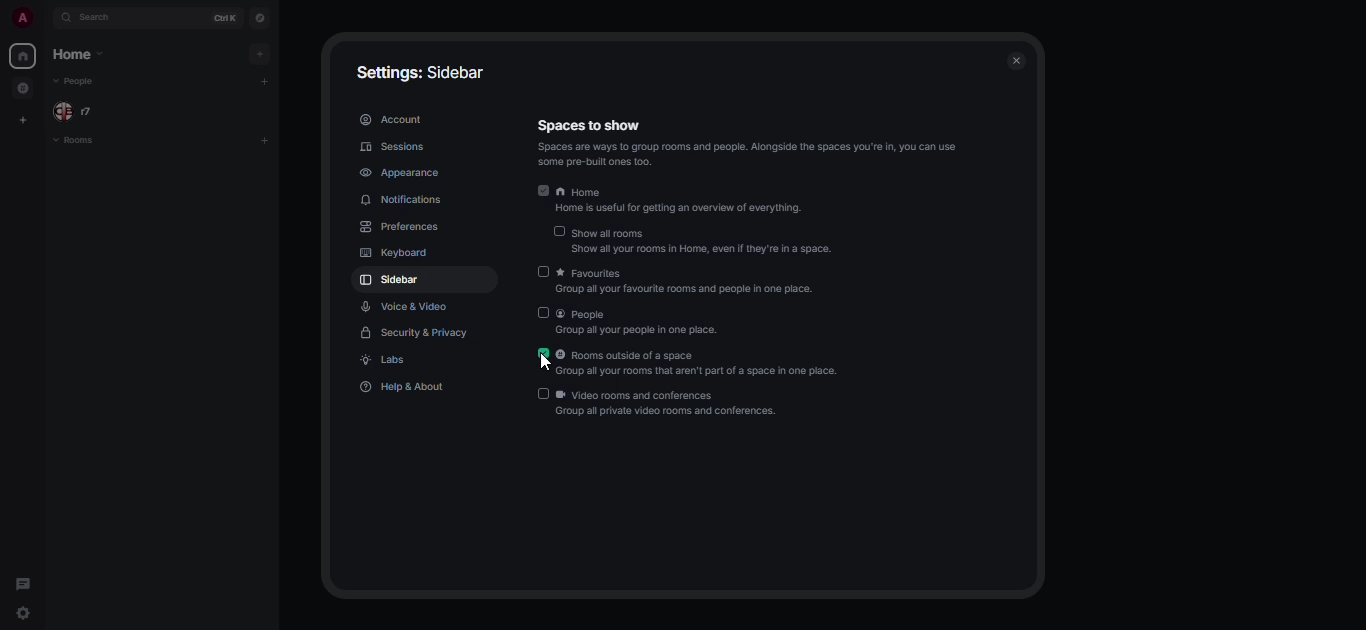  What do you see at coordinates (395, 119) in the screenshot?
I see `account` at bounding box center [395, 119].